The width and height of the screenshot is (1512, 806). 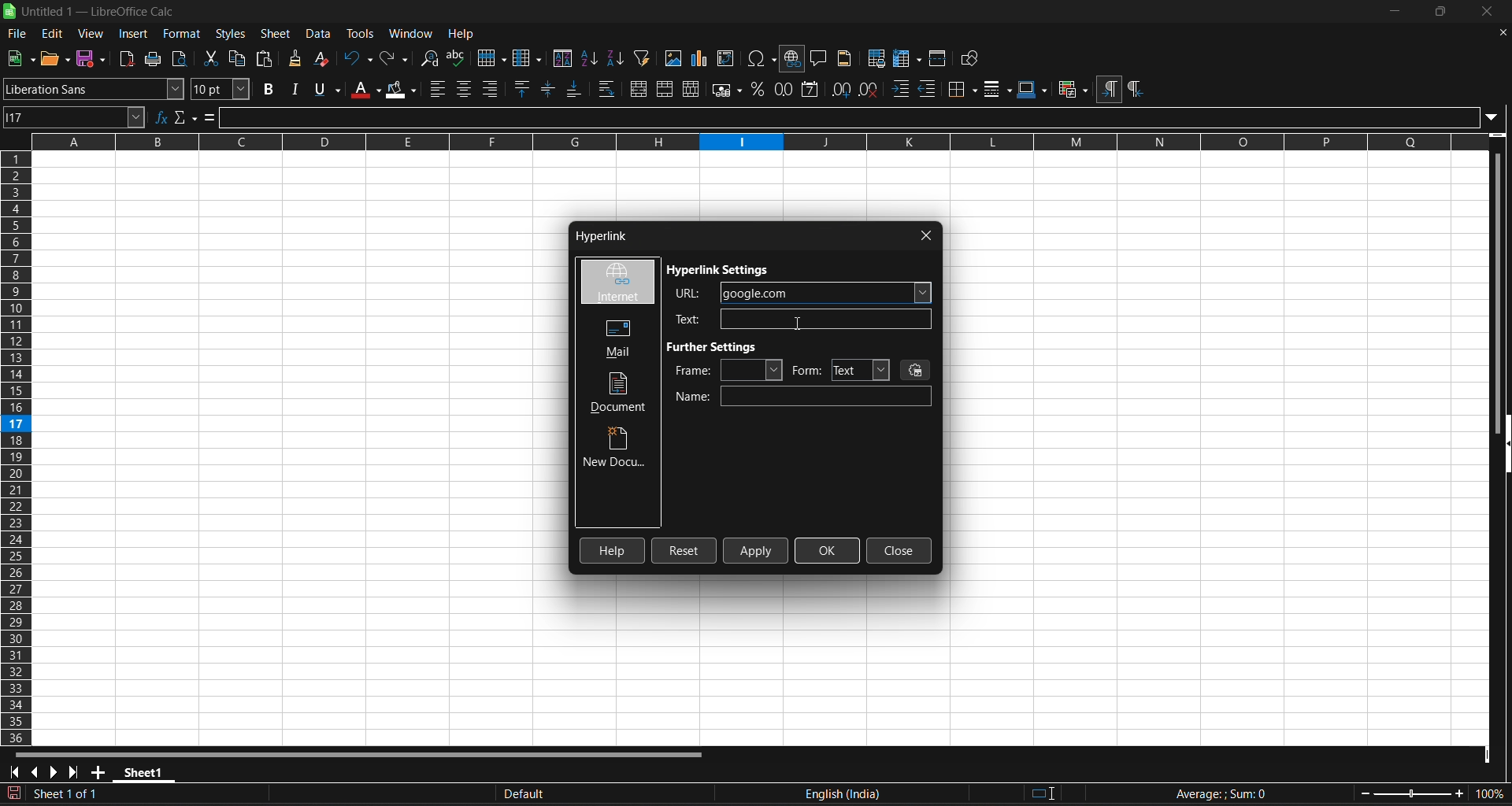 What do you see at coordinates (1033, 90) in the screenshot?
I see `border colors` at bounding box center [1033, 90].